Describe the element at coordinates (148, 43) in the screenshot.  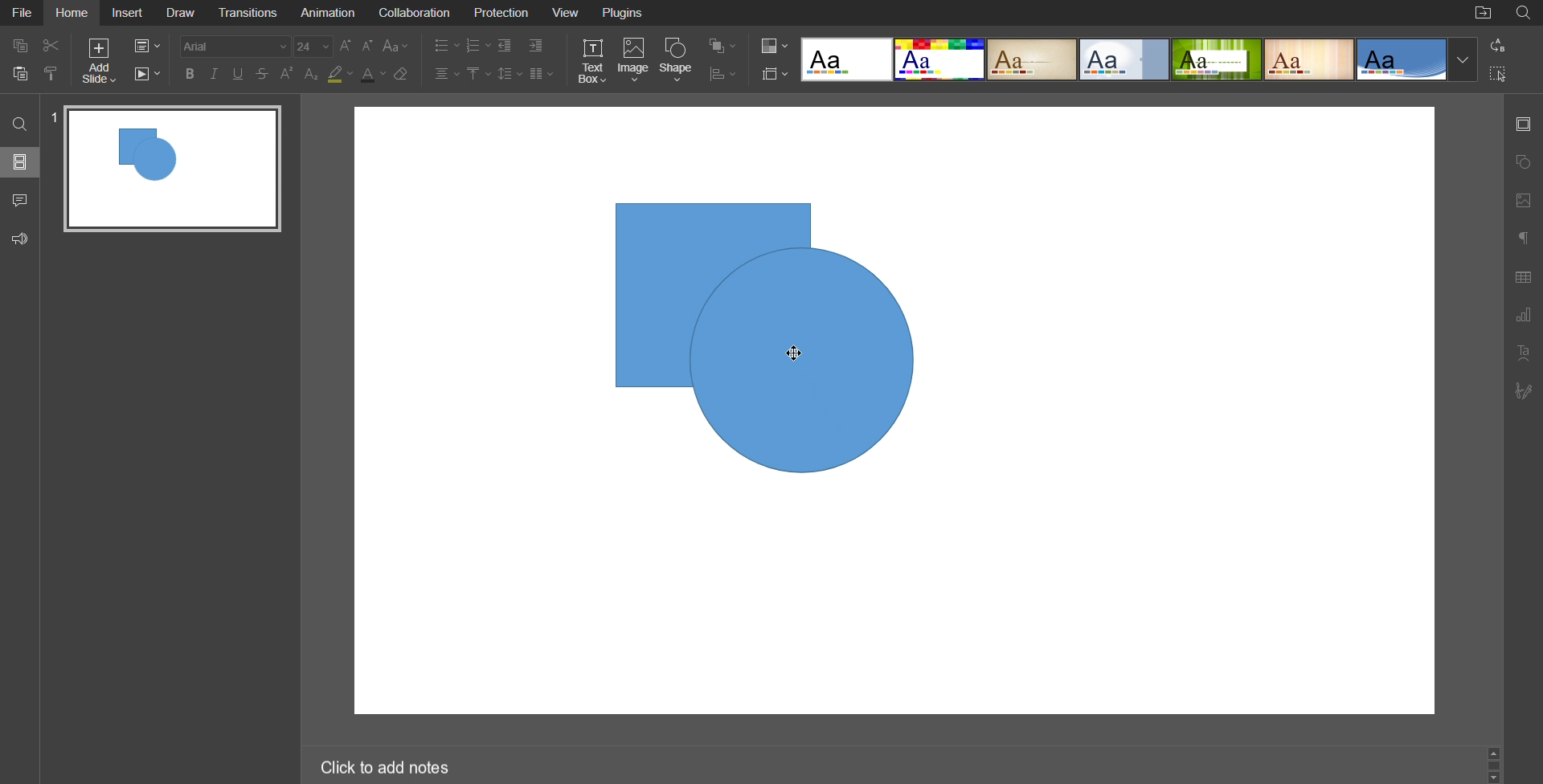
I see `Slide Settings` at that location.